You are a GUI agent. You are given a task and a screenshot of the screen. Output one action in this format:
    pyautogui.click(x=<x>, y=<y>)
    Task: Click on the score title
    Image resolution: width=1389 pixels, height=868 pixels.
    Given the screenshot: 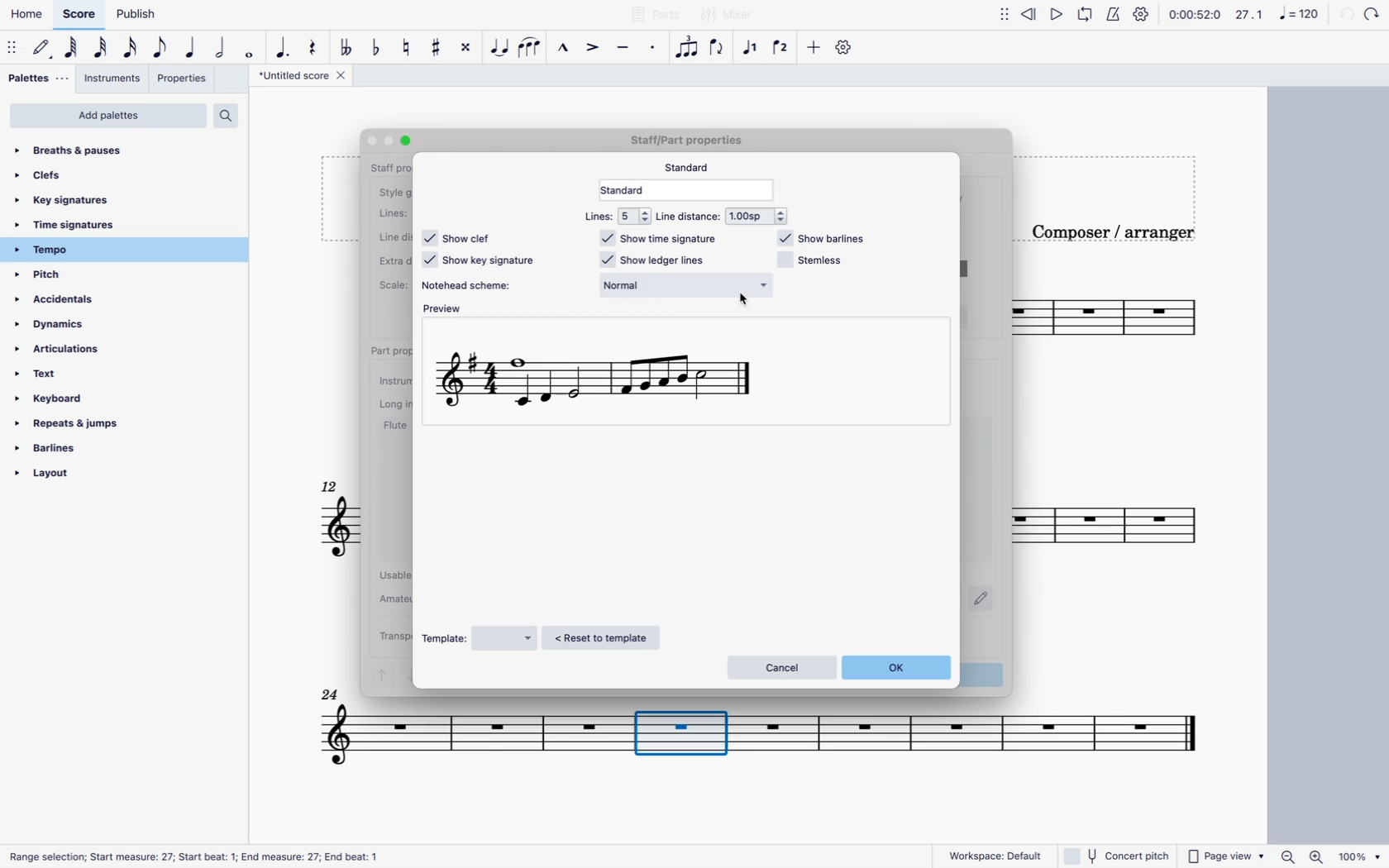 What is the action you would take?
    pyautogui.click(x=689, y=141)
    